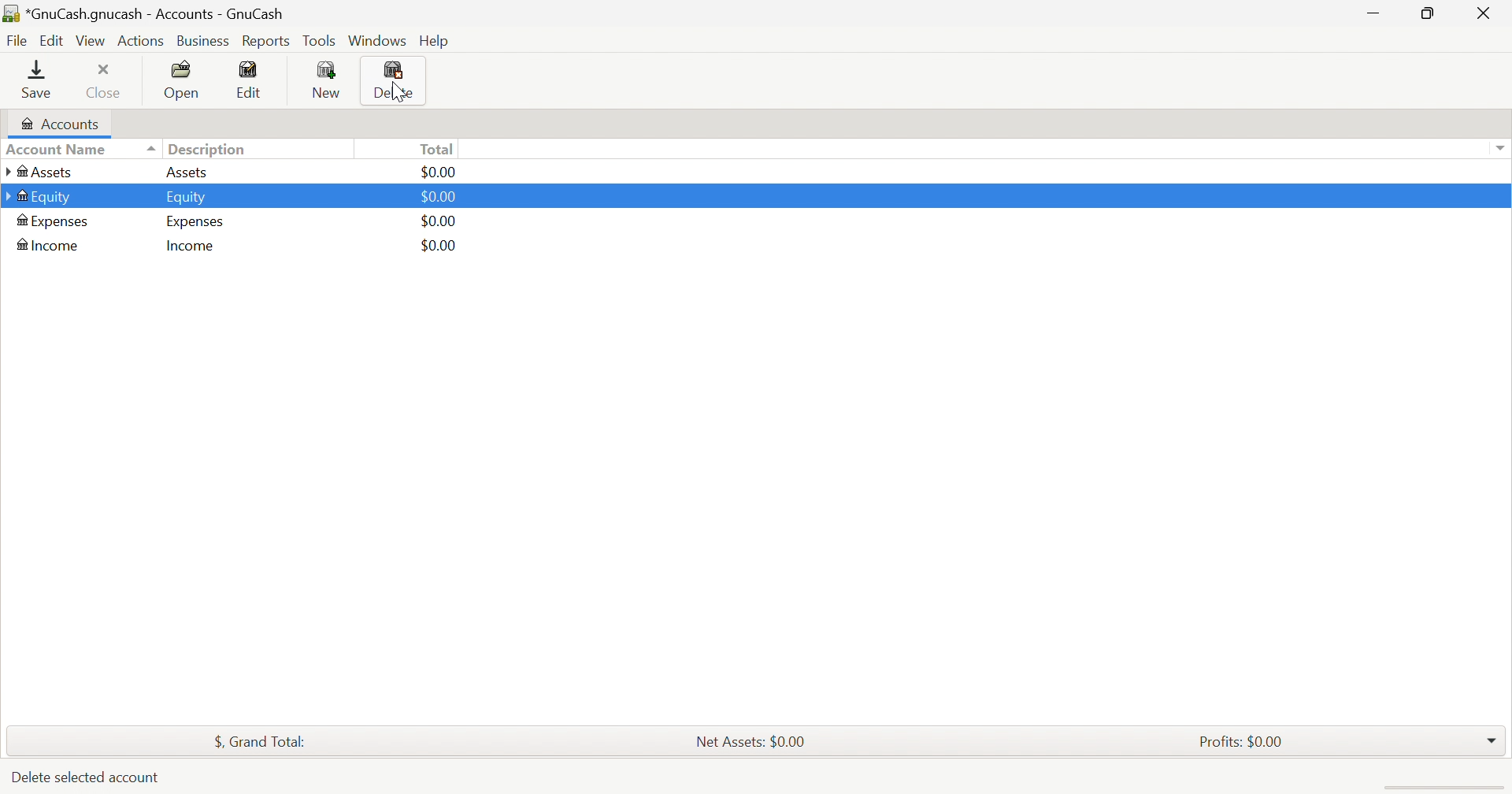 The width and height of the screenshot is (1512, 794). I want to click on Help, so click(435, 40).